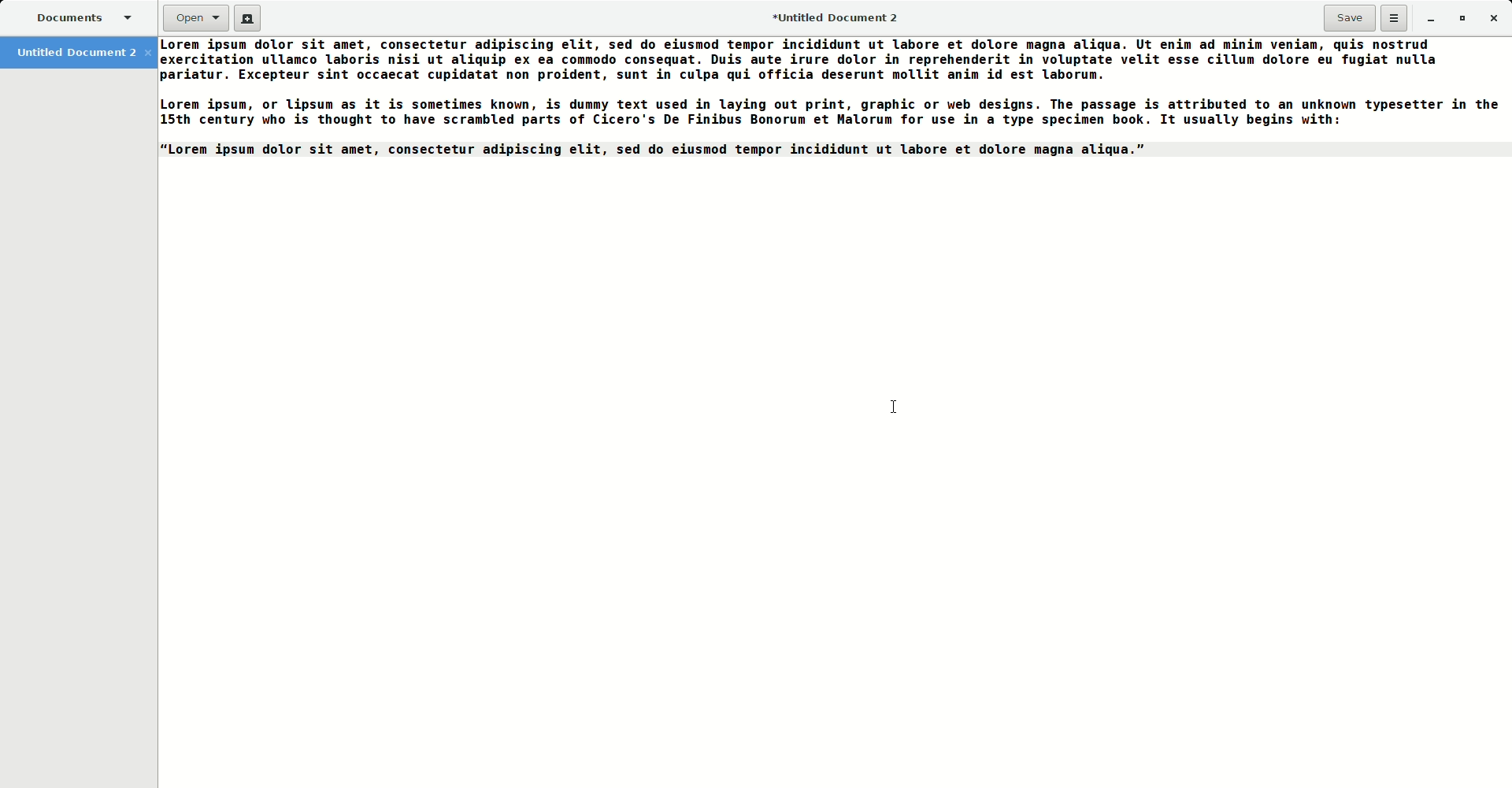 The width and height of the screenshot is (1512, 788). What do you see at coordinates (187, 19) in the screenshot?
I see `Open` at bounding box center [187, 19].